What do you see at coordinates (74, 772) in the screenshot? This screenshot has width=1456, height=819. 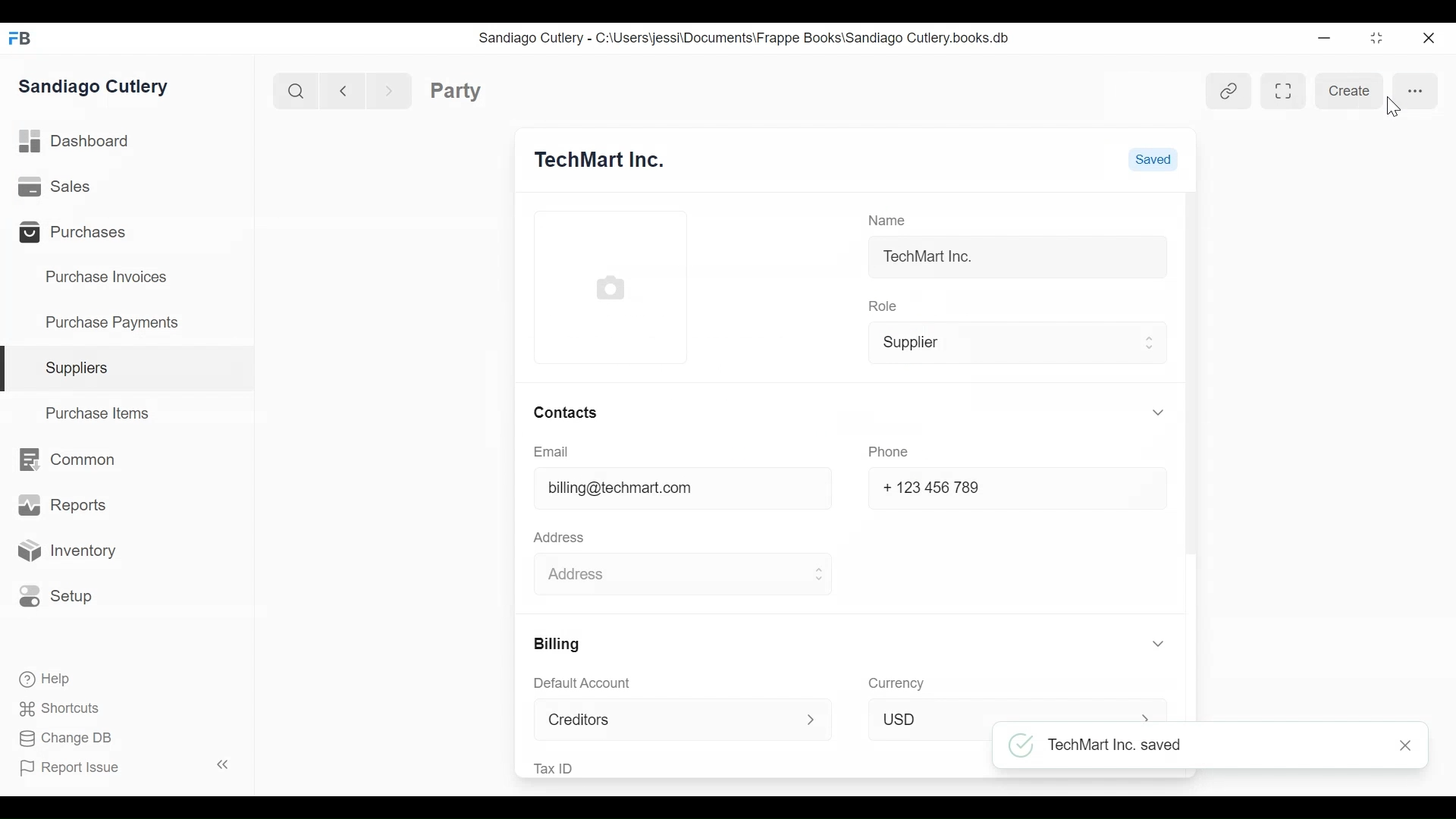 I see `[FP Report Issue` at bounding box center [74, 772].